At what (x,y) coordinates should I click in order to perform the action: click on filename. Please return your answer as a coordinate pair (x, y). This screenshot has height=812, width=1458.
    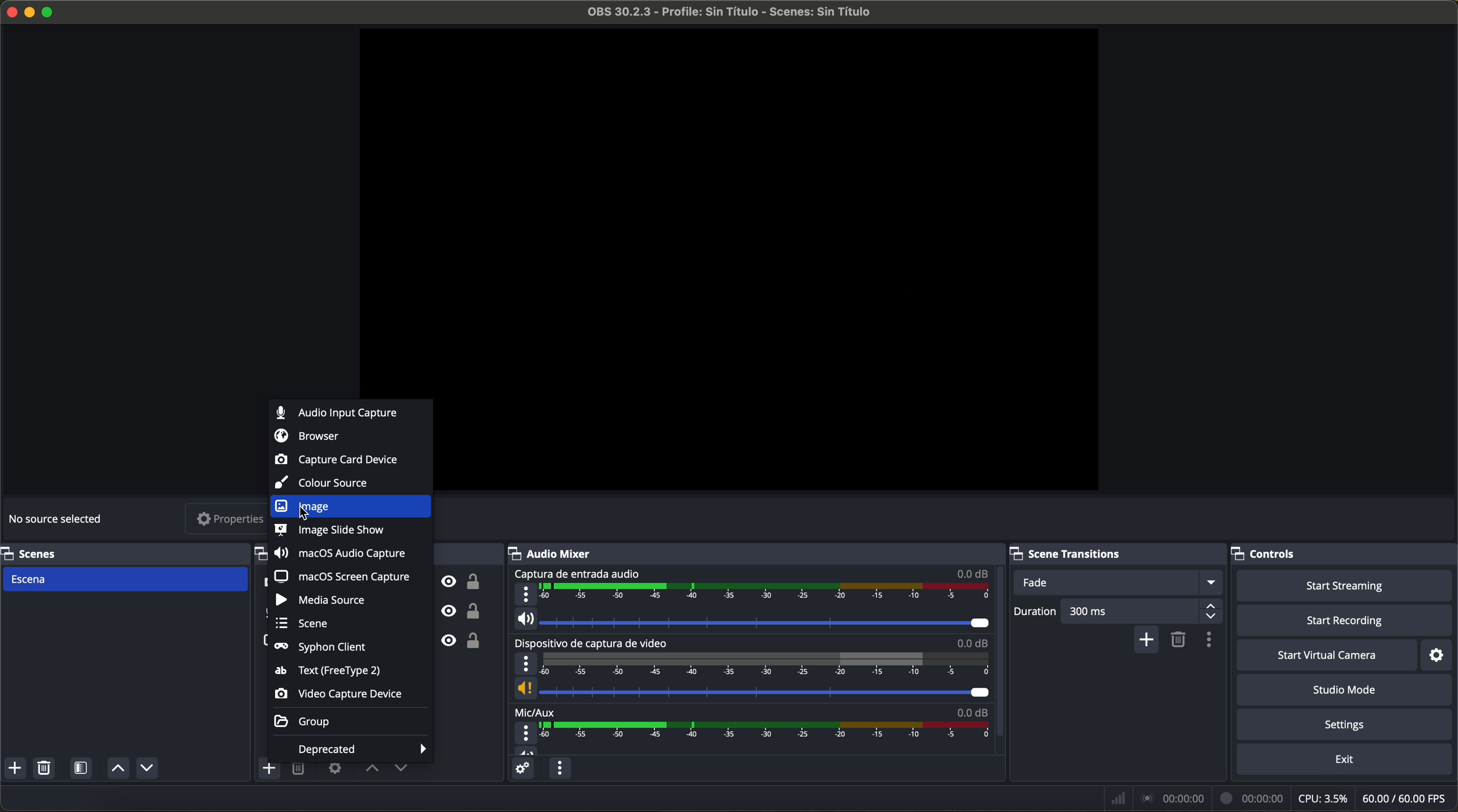
    Looking at the image, I should click on (731, 12).